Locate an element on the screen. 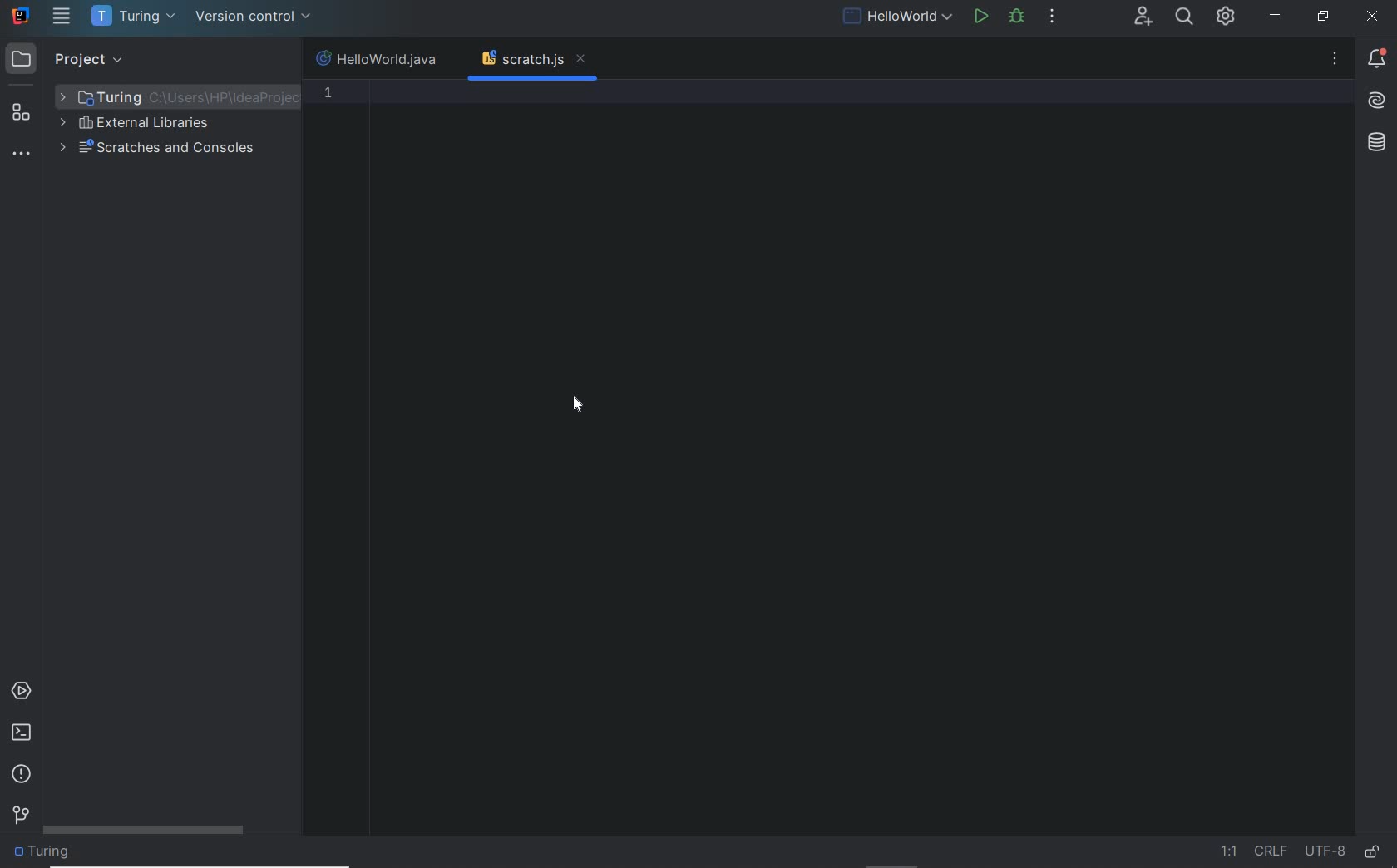 This screenshot has height=868, width=1397. project is located at coordinates (68, 57).